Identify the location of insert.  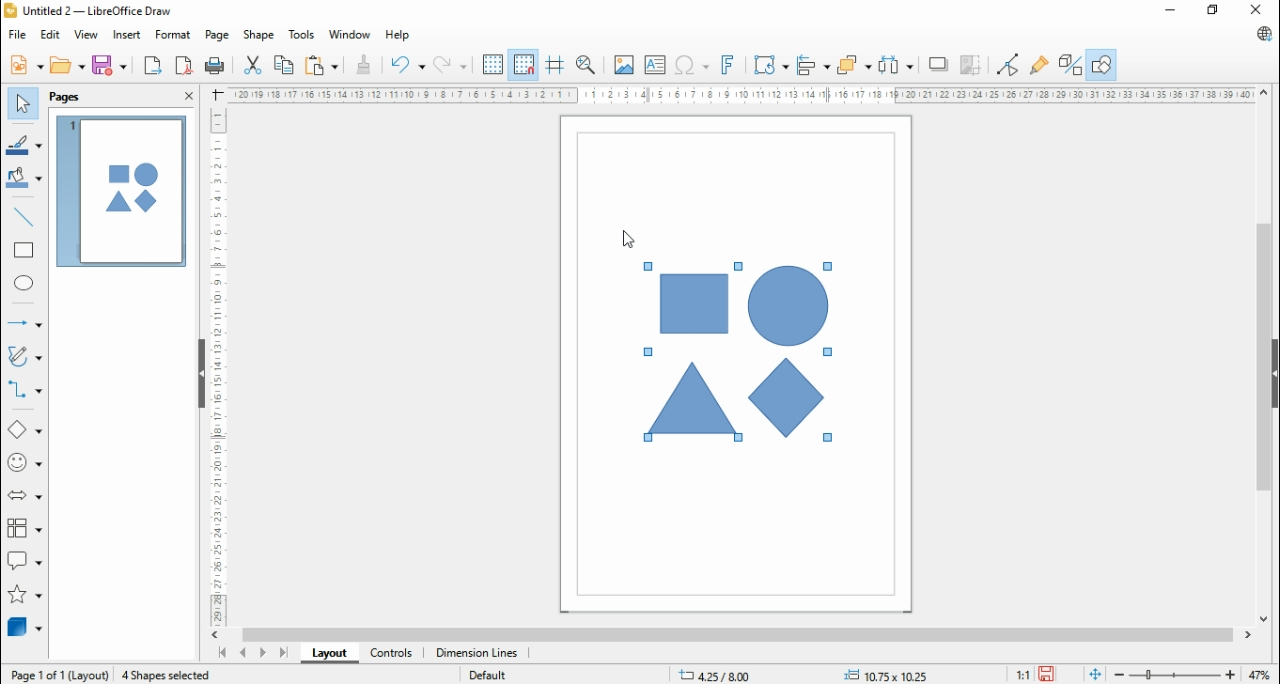
(126, 35).